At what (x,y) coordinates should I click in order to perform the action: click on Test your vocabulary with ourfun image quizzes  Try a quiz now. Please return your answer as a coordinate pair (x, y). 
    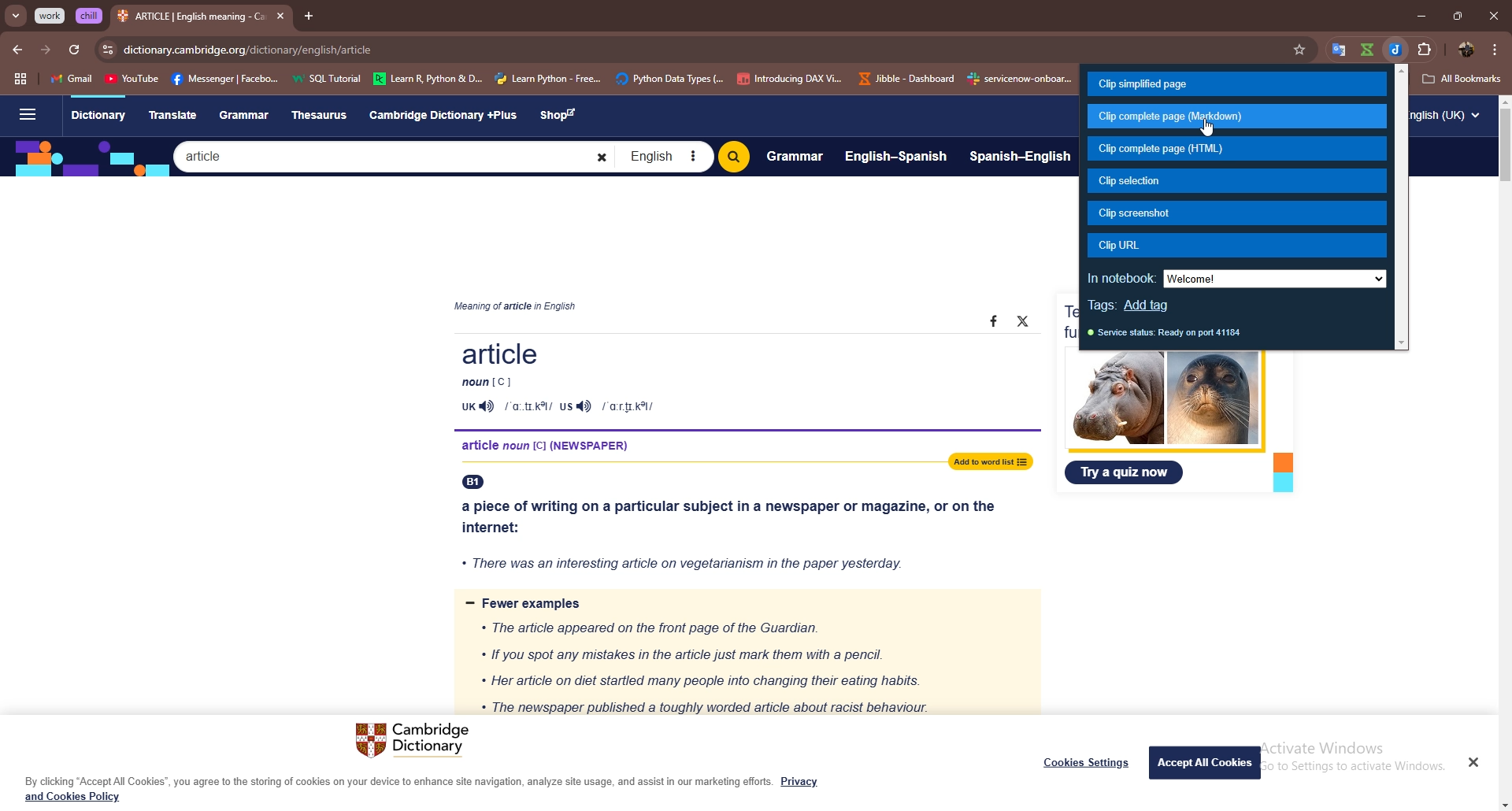
    Looking at the image, I should click on (1180, 422).